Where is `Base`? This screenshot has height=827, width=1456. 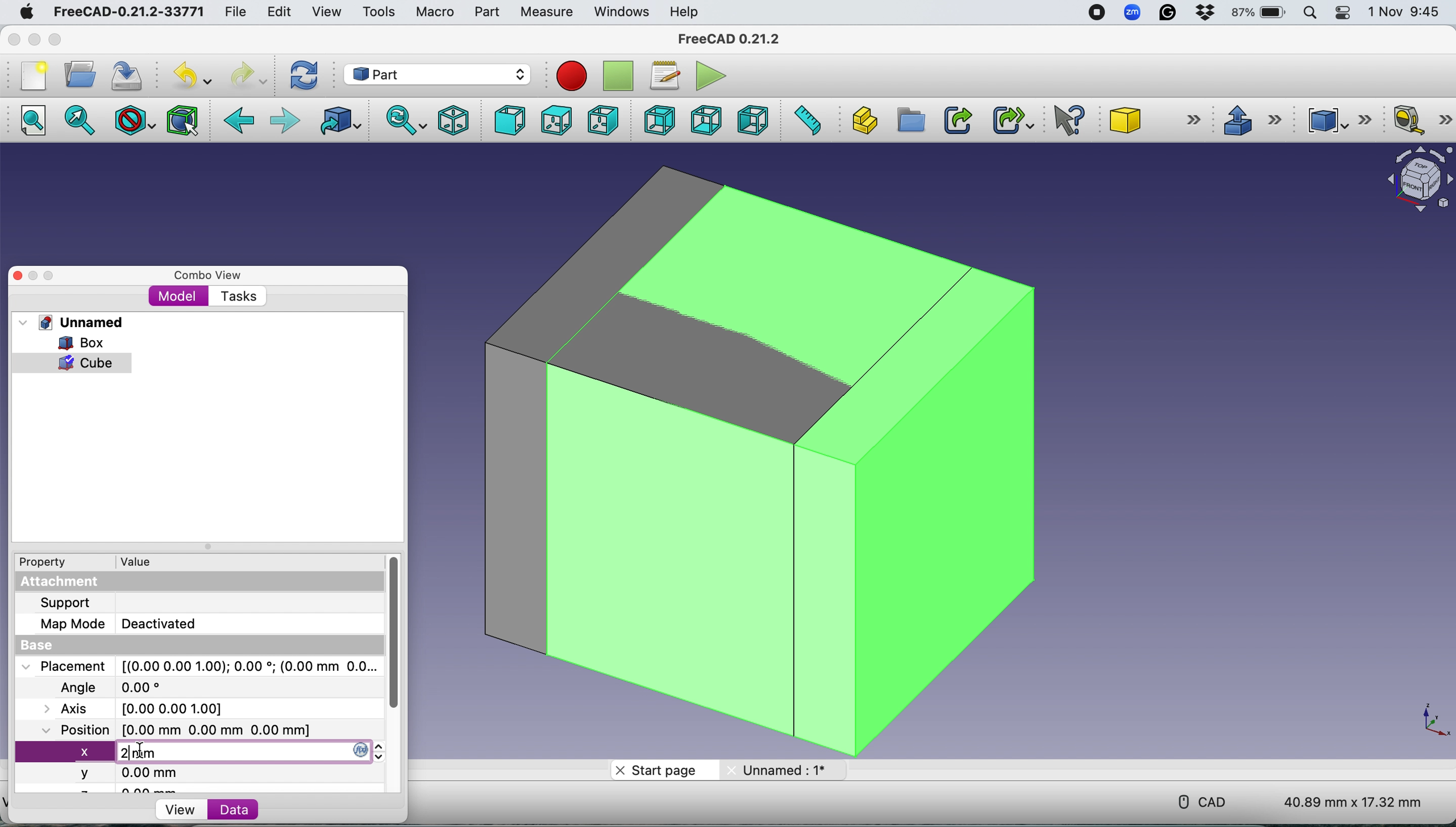 Base is located at coordinates (47, 645).